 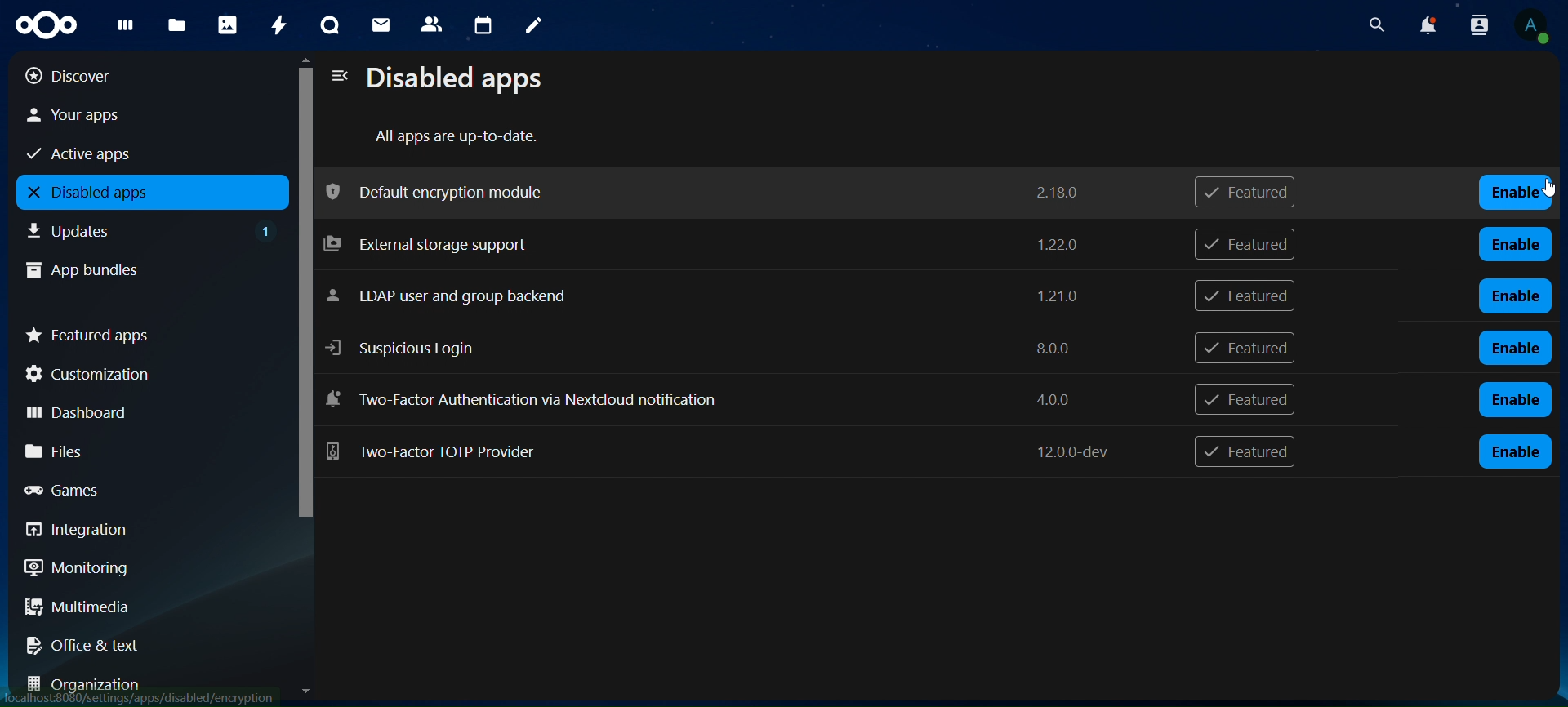 What do you see at coordinates (140, 530) in the screenshot?
I see `integration` at bounding box center [140, 530].